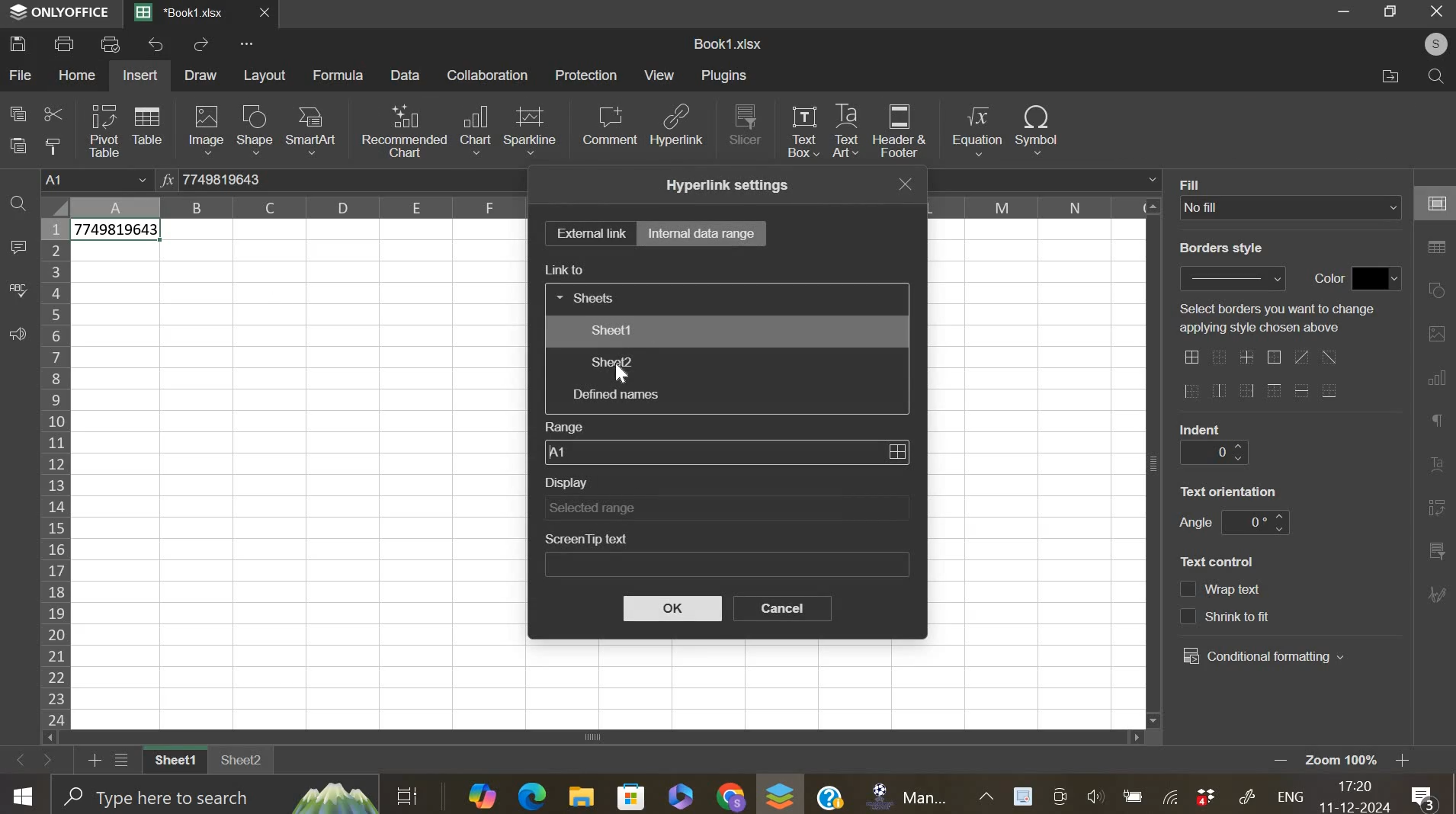 The image size is (1456, 814). I want to click on Hyperlink Settings, so click(723, 184).